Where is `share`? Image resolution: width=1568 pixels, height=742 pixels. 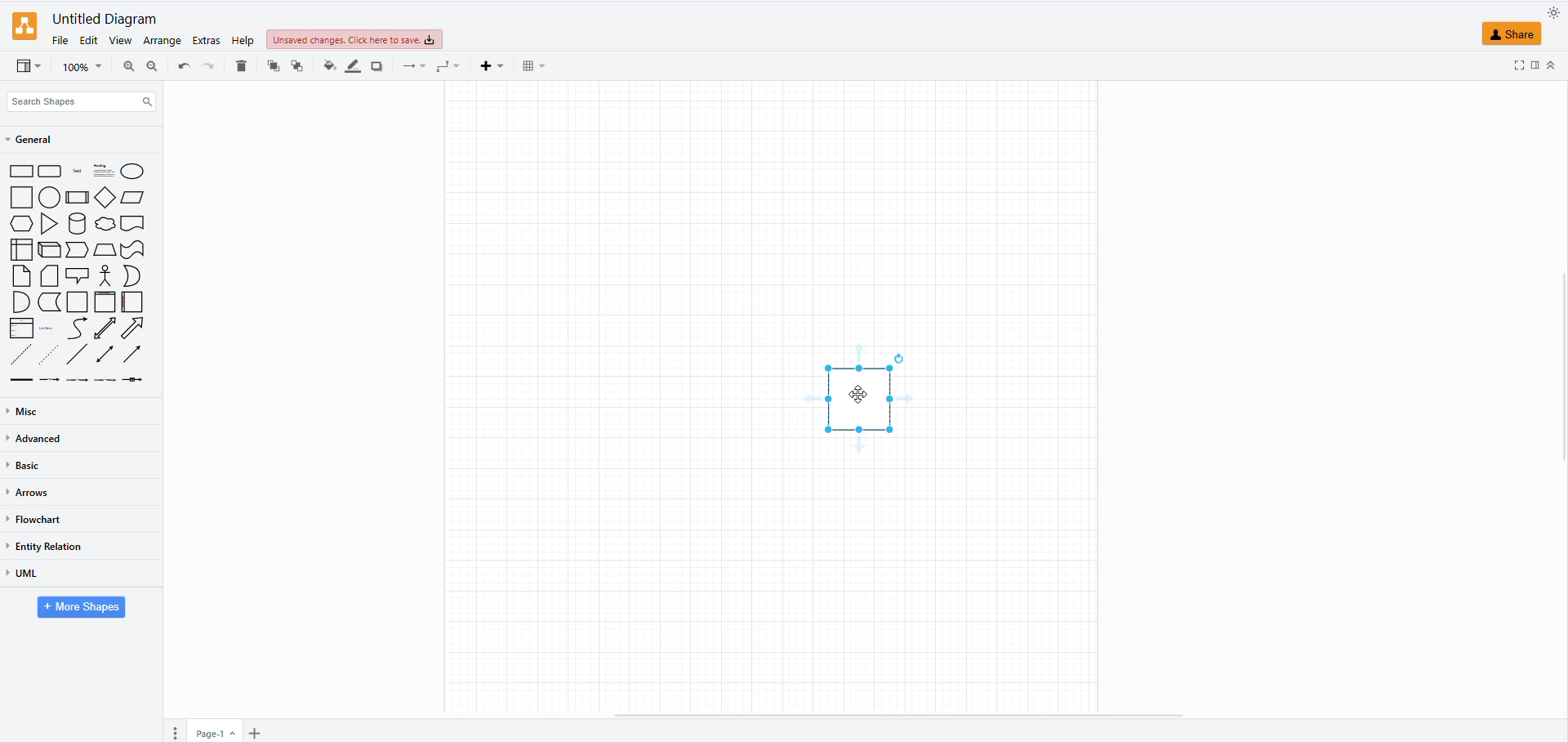
share is located at coordinates (1512, 35).